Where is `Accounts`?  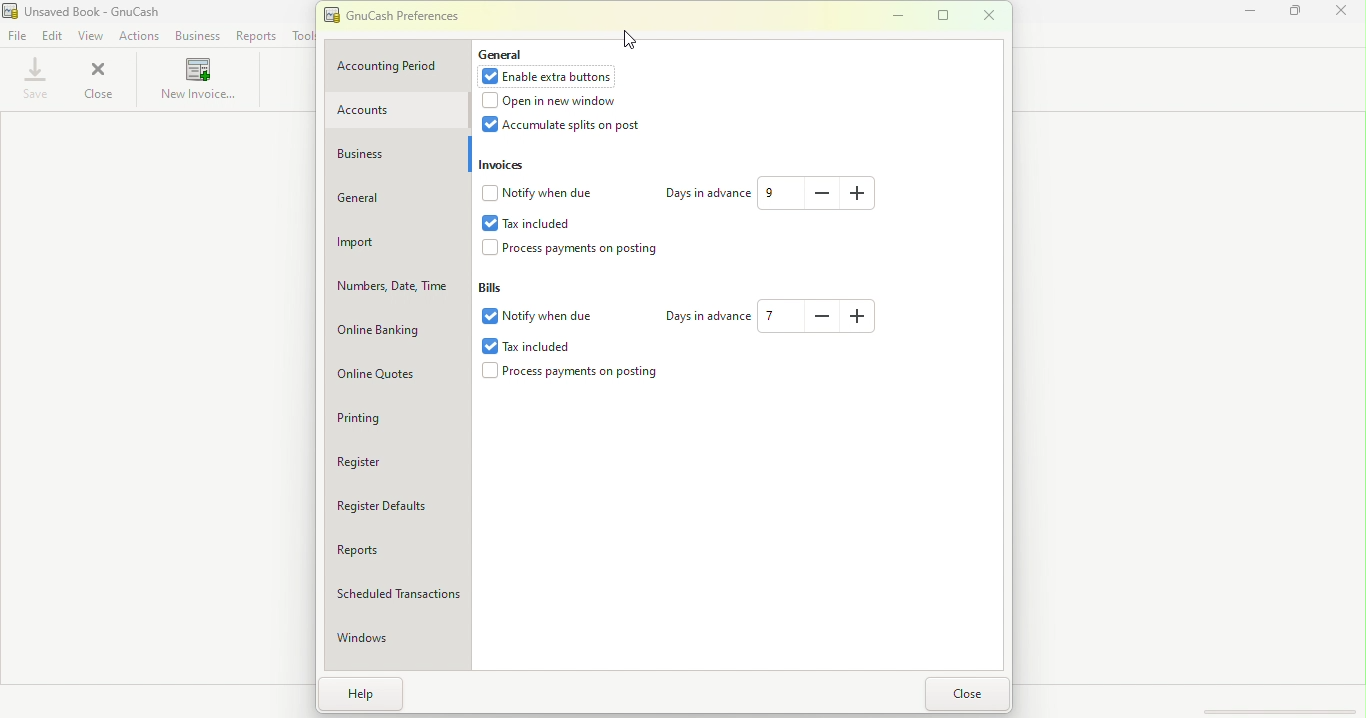 Accounts is located at coordinates (393, 112).